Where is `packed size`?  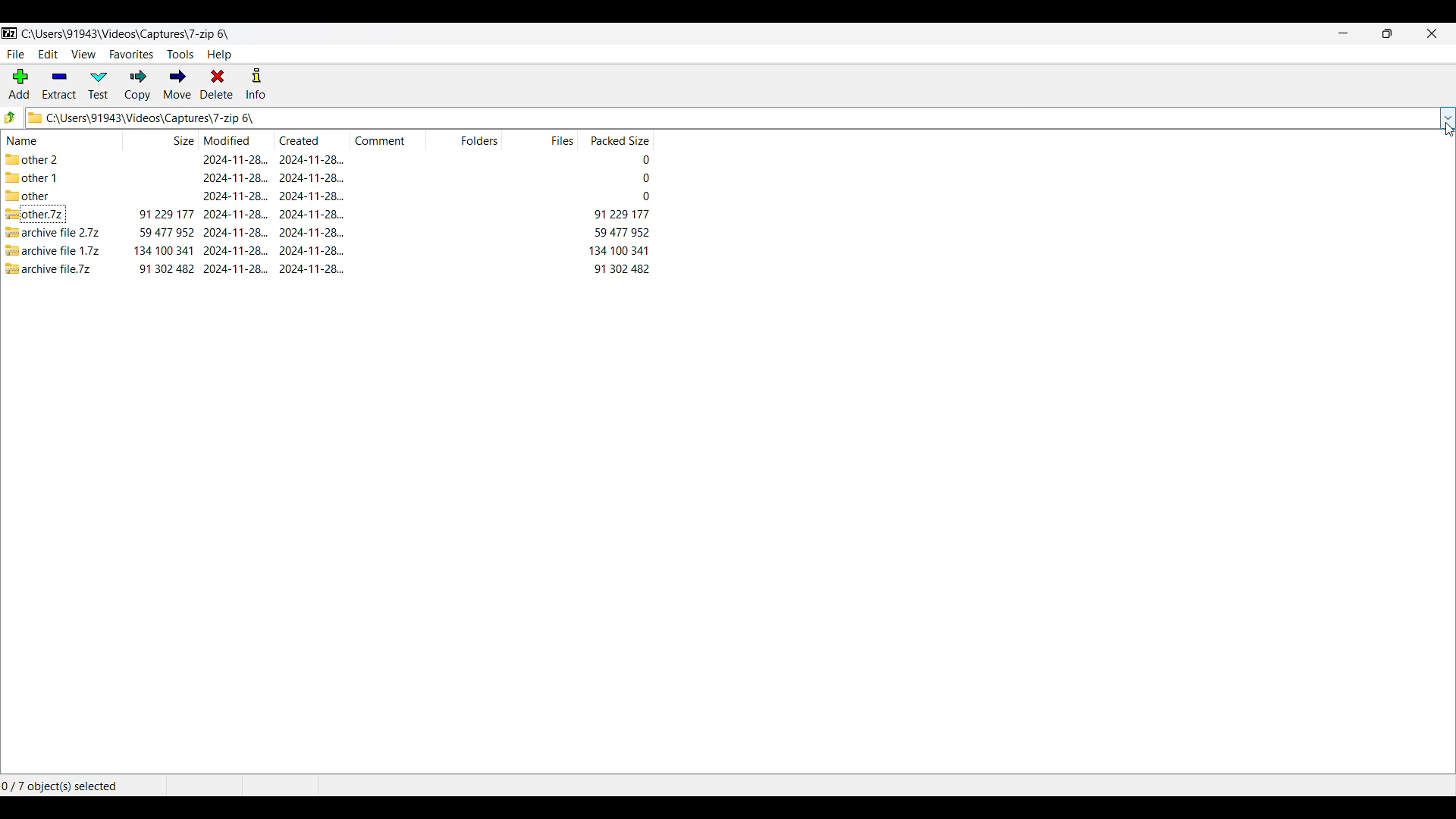 packed size is located at coordinates (644, 177).